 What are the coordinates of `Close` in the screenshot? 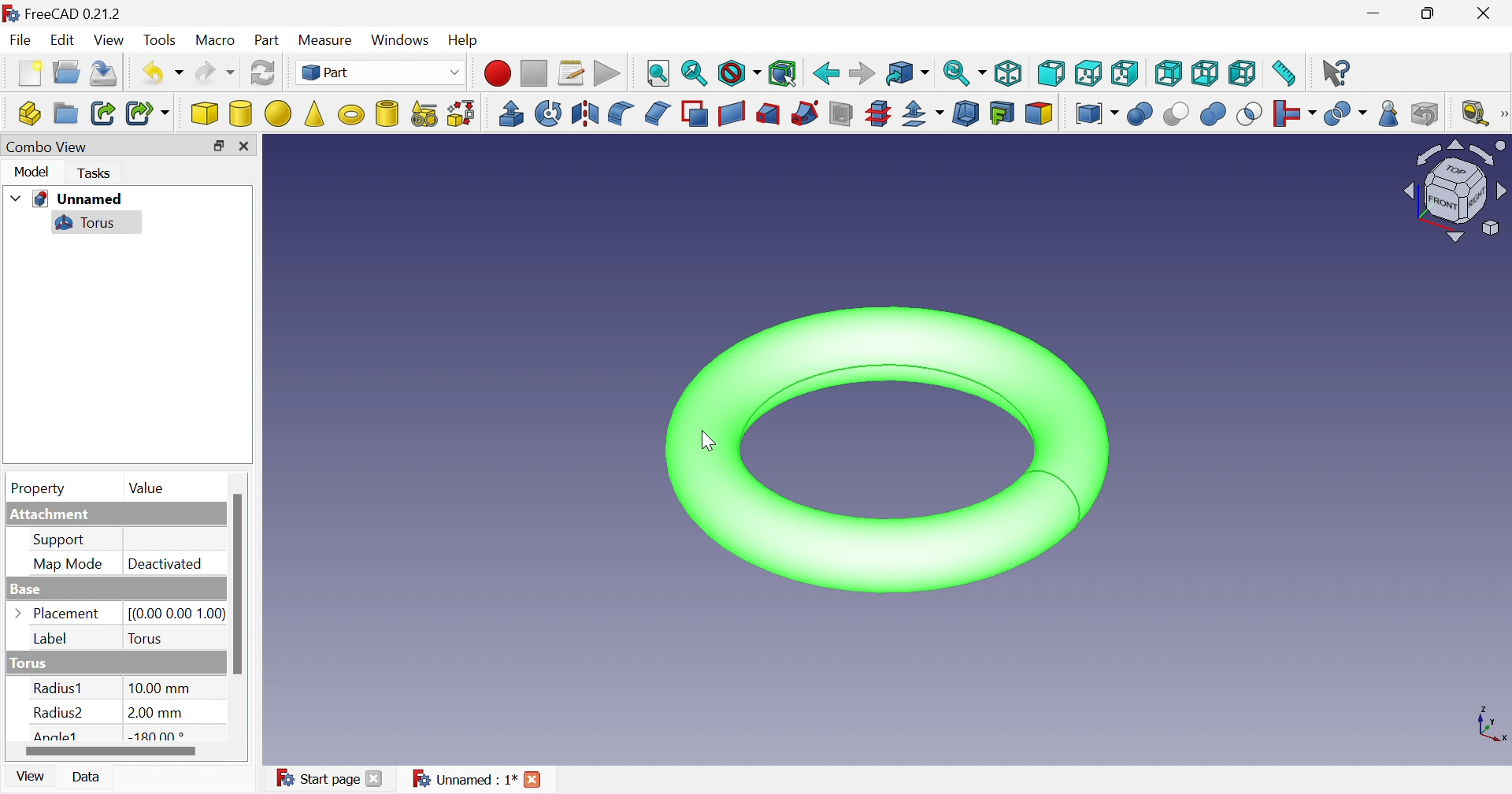 It's located at (377, 779).